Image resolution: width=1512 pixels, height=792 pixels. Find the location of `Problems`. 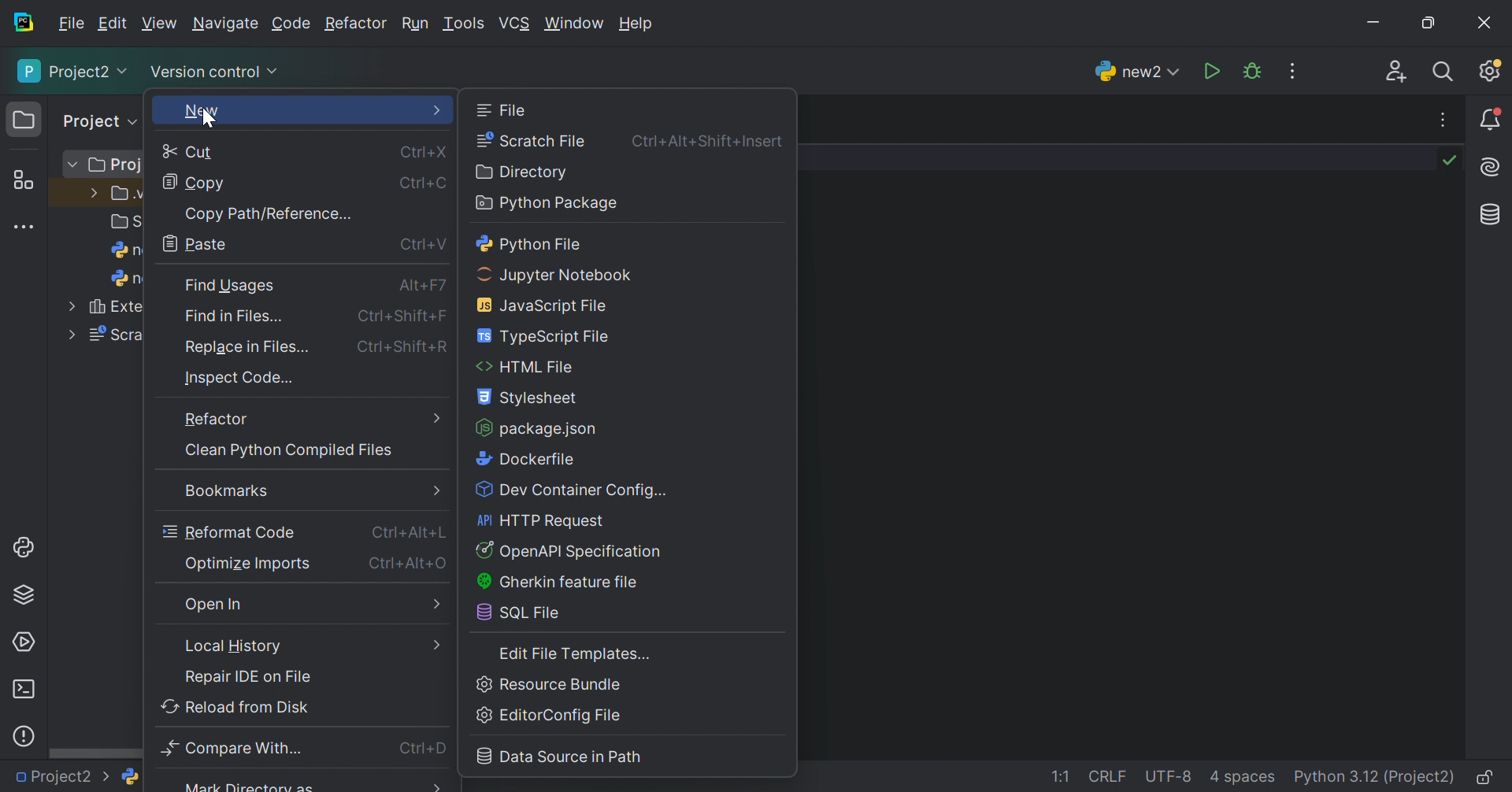

Problems is located at coordinates (26, 737).